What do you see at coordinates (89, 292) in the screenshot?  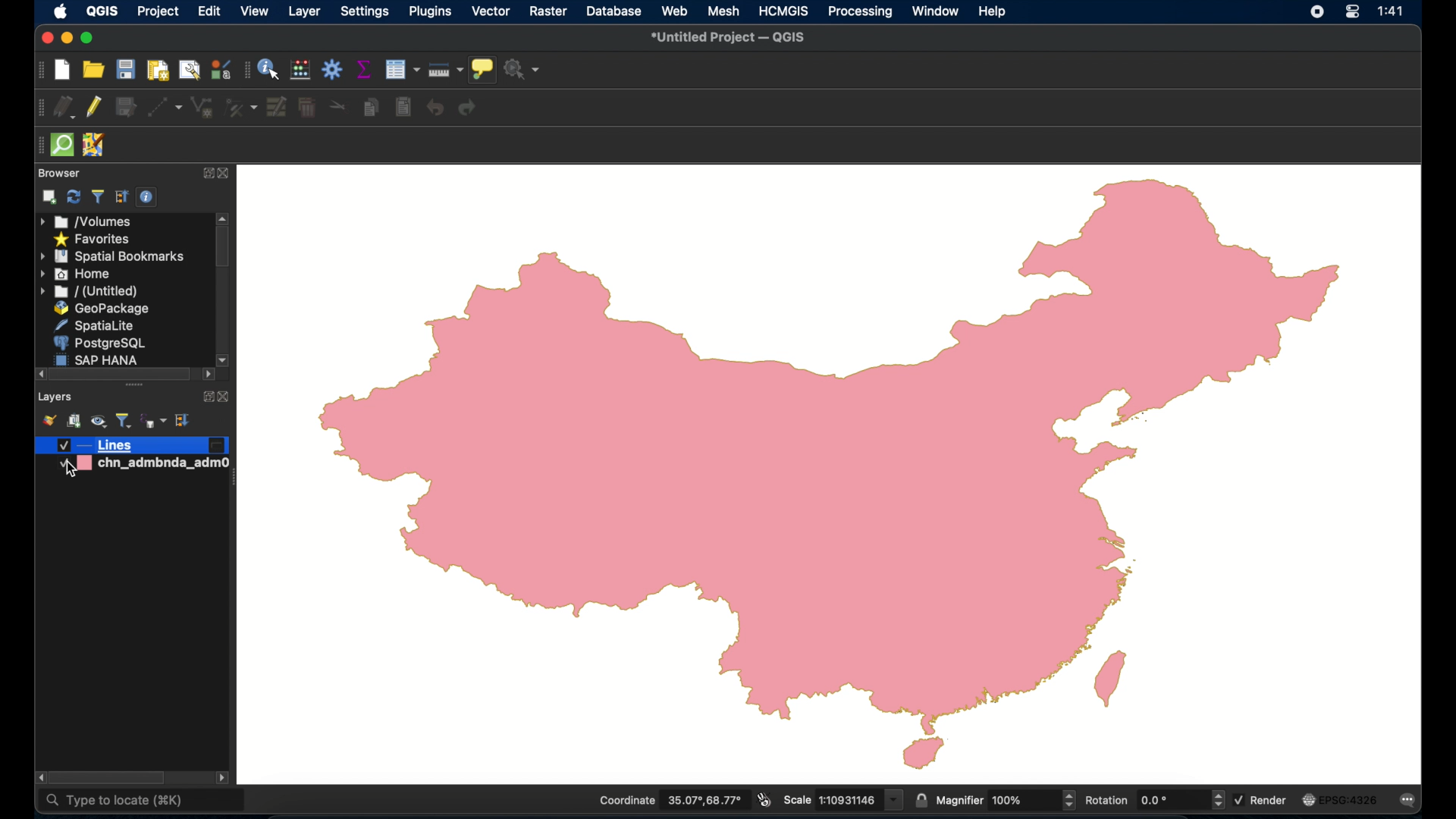 I see `untitled menu` at bounding box center [89, 292].